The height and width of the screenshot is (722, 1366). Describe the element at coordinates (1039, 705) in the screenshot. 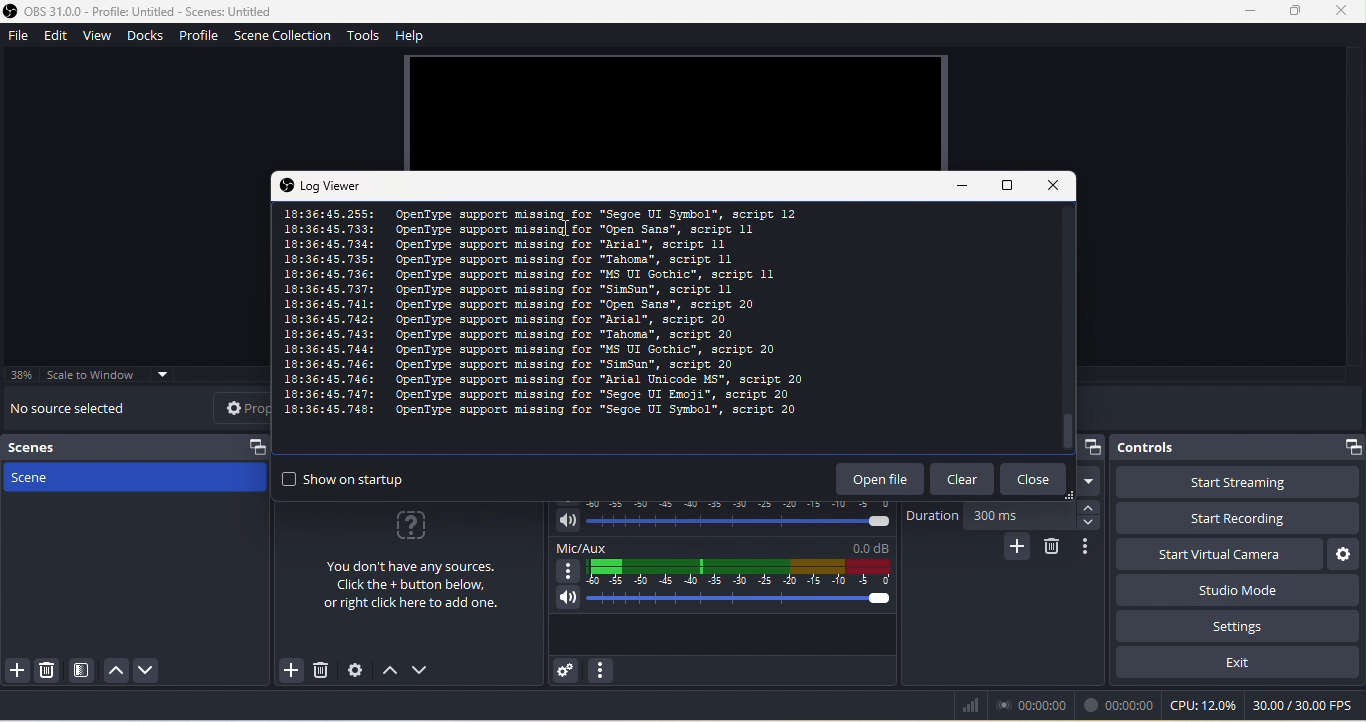

I see `00.00.00` at that location.